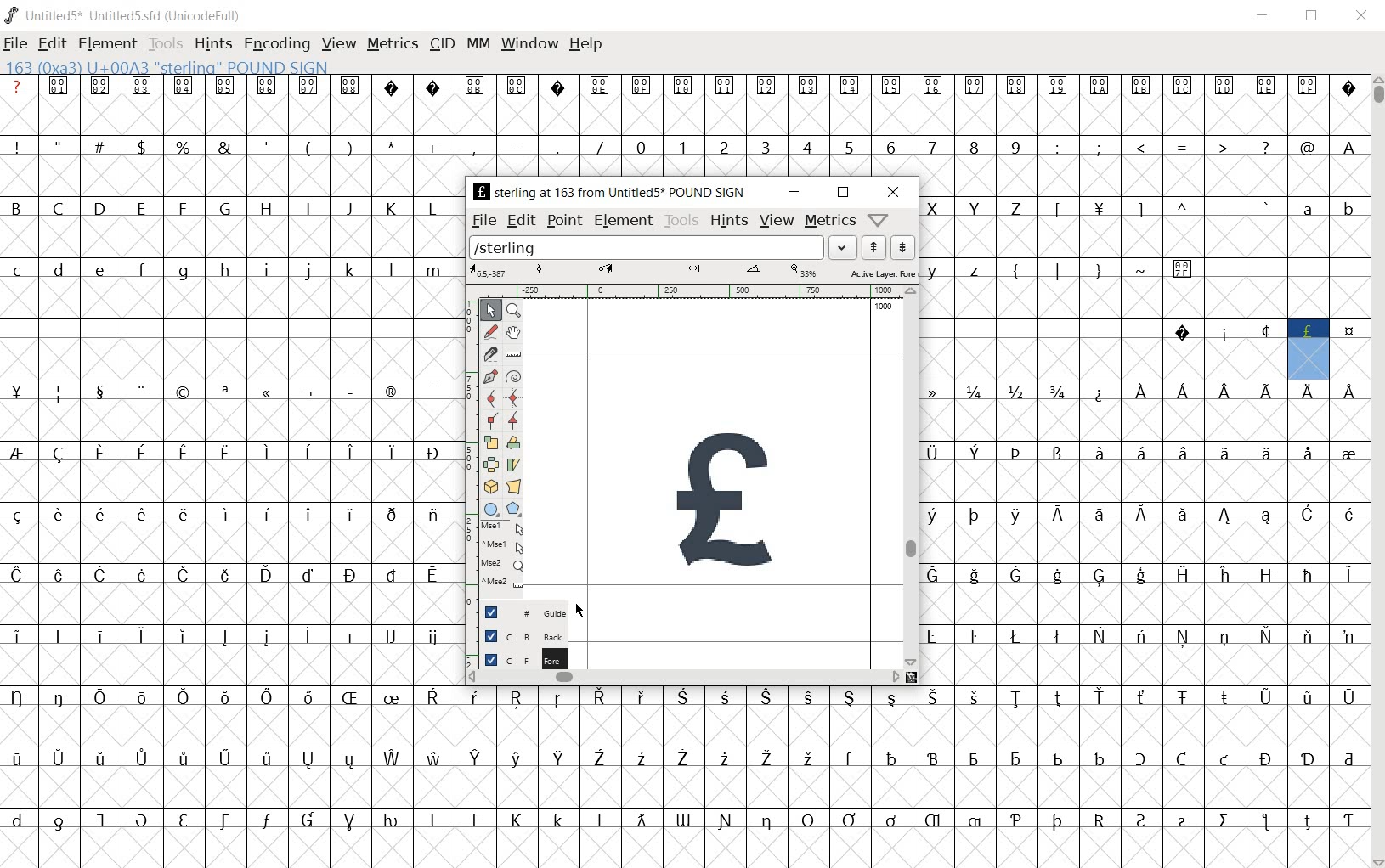 Image resolution: width=1385 pixels, height=868 pixels. Describe the element at coordinates (393, 821) in the screenshot. I see `Symbol` at that location.